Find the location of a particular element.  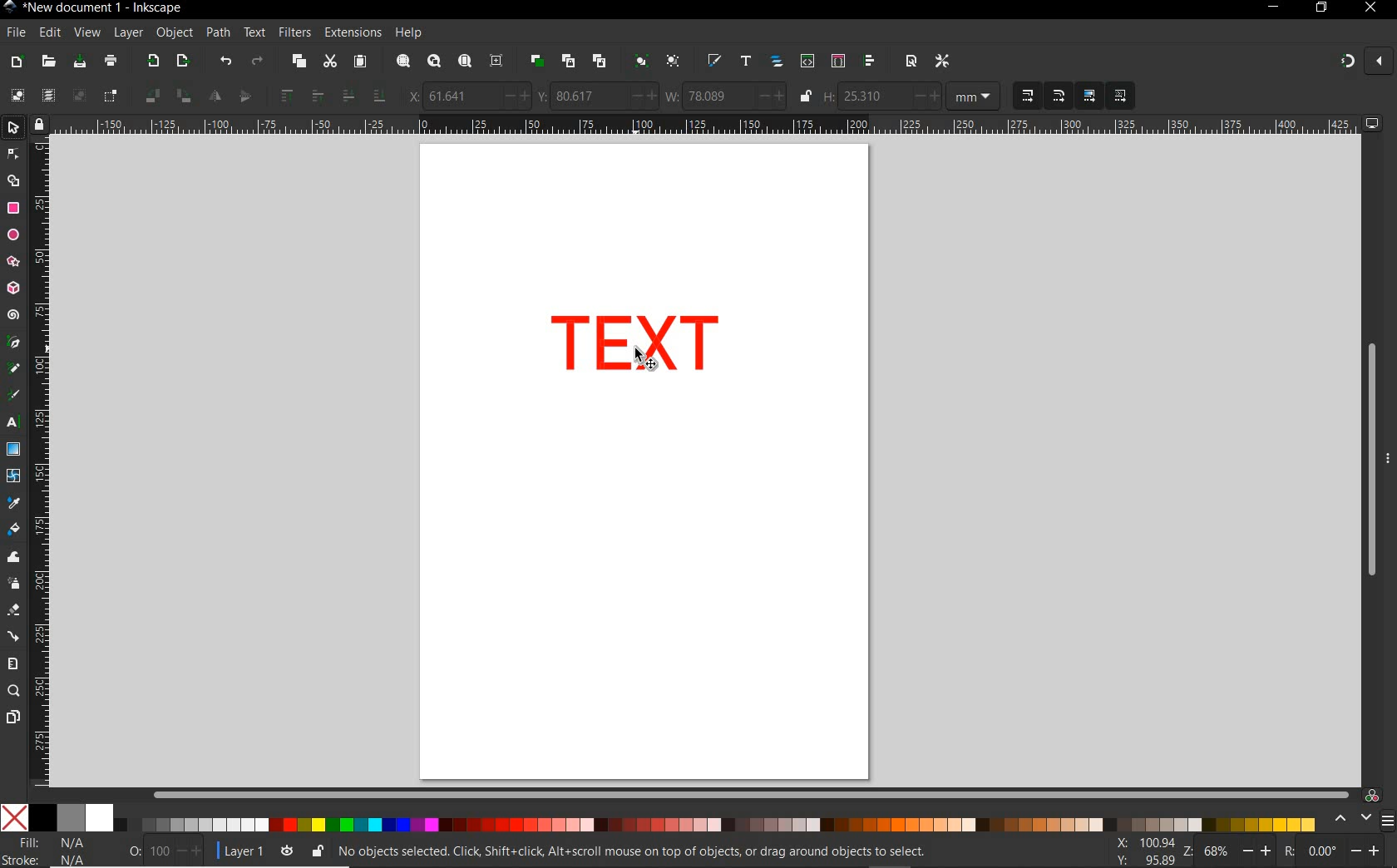

raise selection is located at coordinates (299, 96).